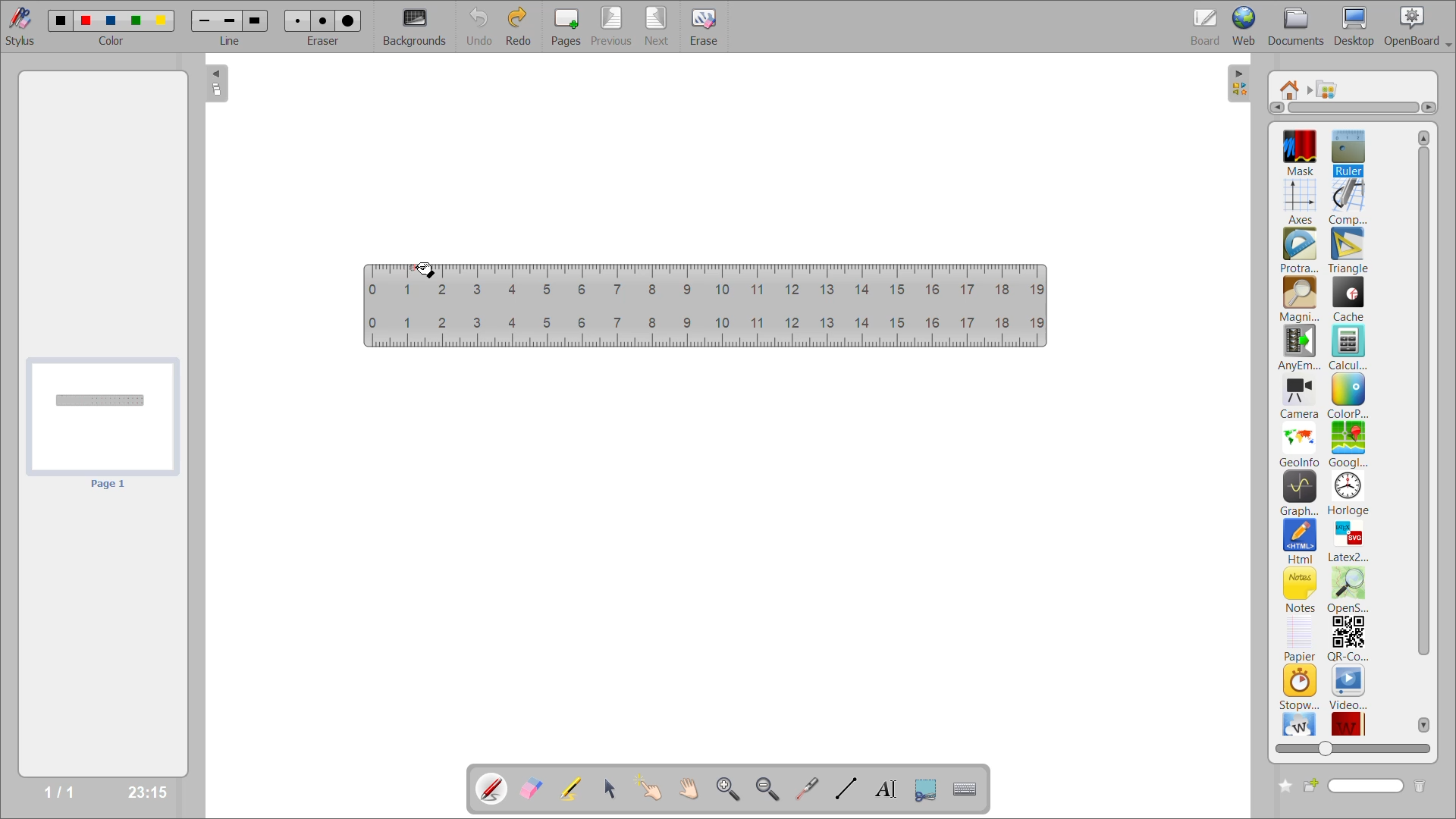 The height and width of the screenshot is (819, 1456). What do you see at coordinates (805, 788) in the screenshot?
I see `virtual laser pointer` at bounding box center [805, 788].